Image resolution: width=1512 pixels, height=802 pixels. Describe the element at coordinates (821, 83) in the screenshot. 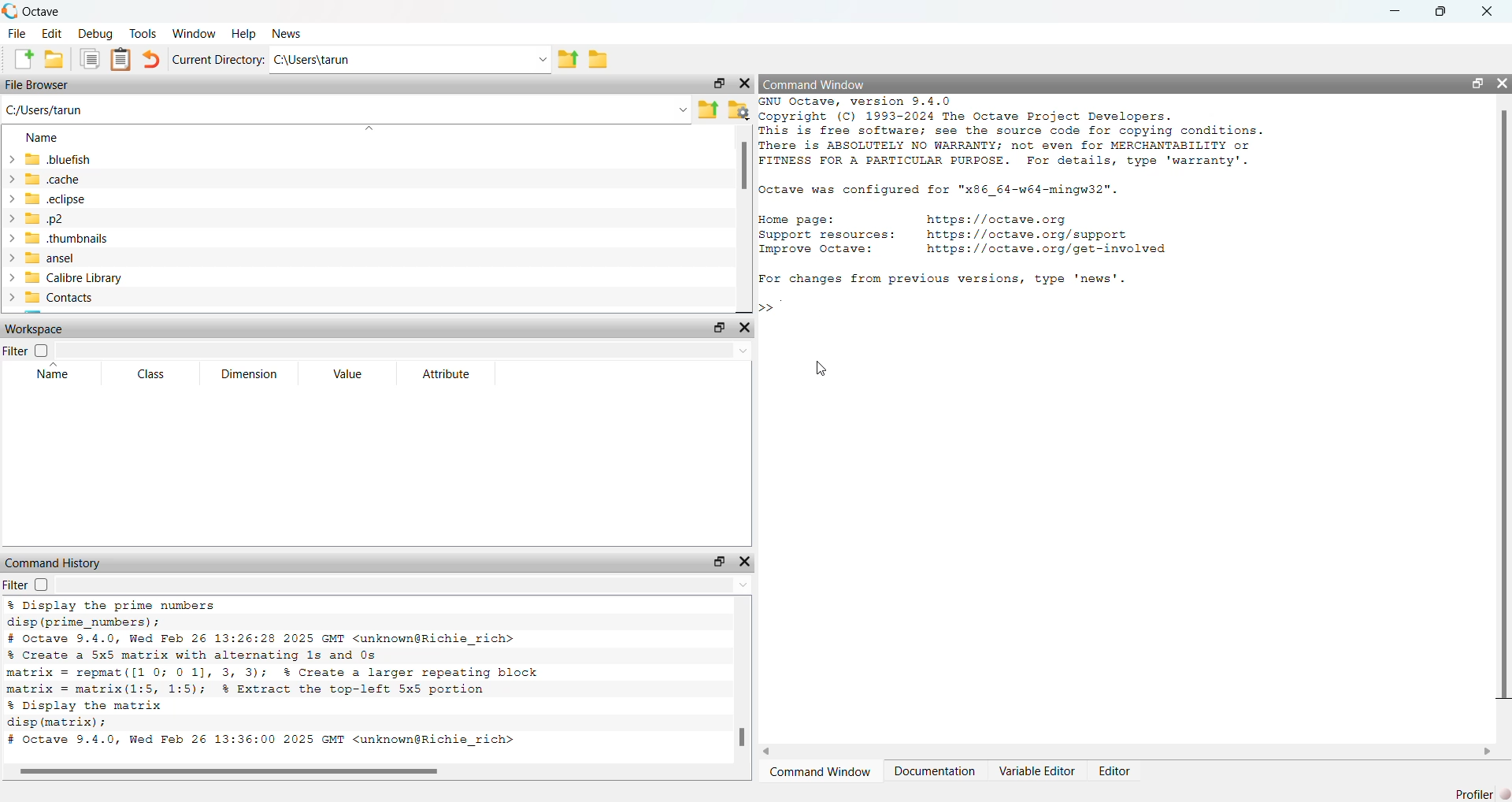

I see `command window` at that location.